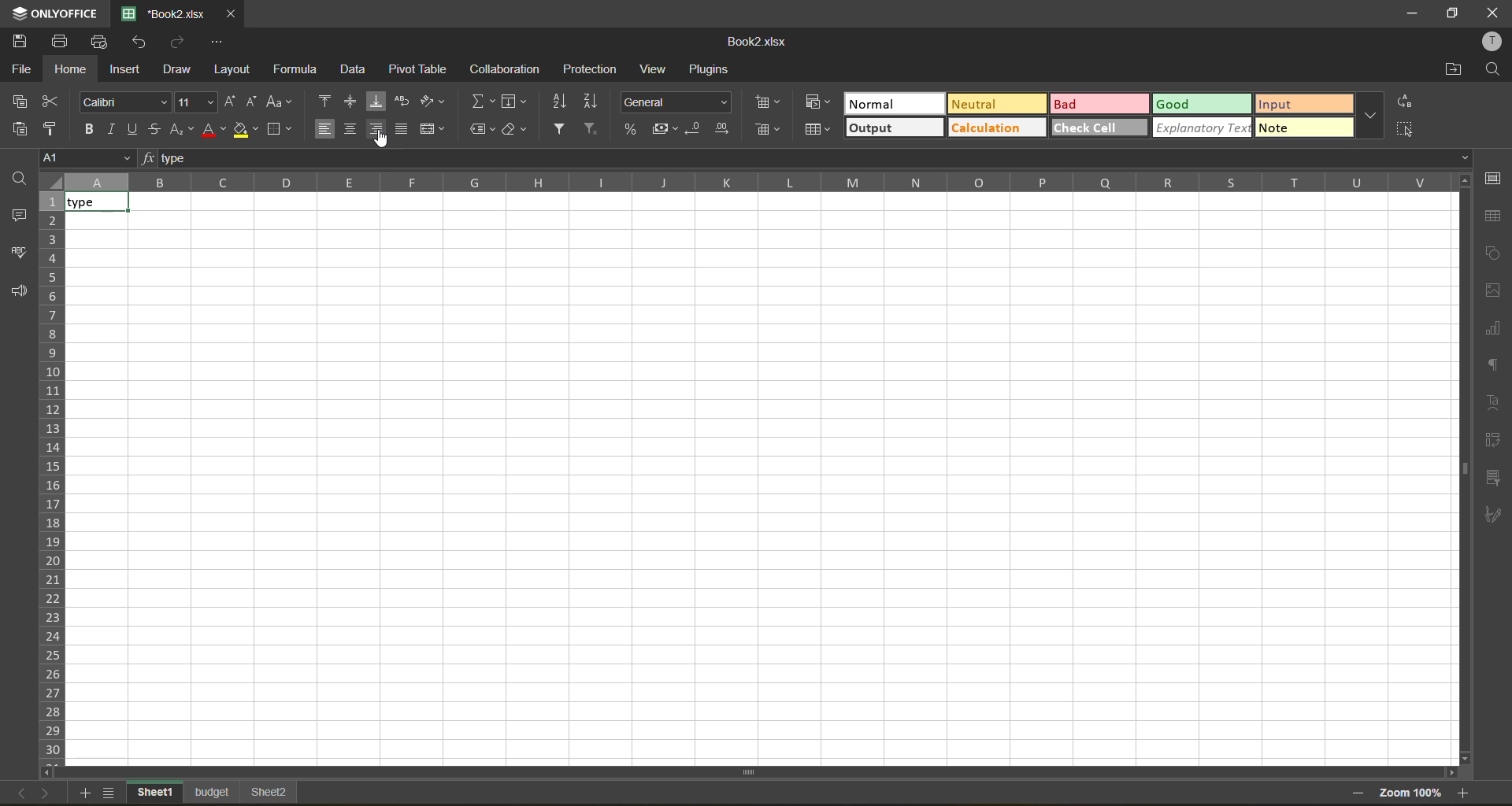 The width and height of the screenshot is (1512, 806). What do you see at coordinates (404, 131) in the screenshot?
I see `justified` at bounding box center [404, 131].